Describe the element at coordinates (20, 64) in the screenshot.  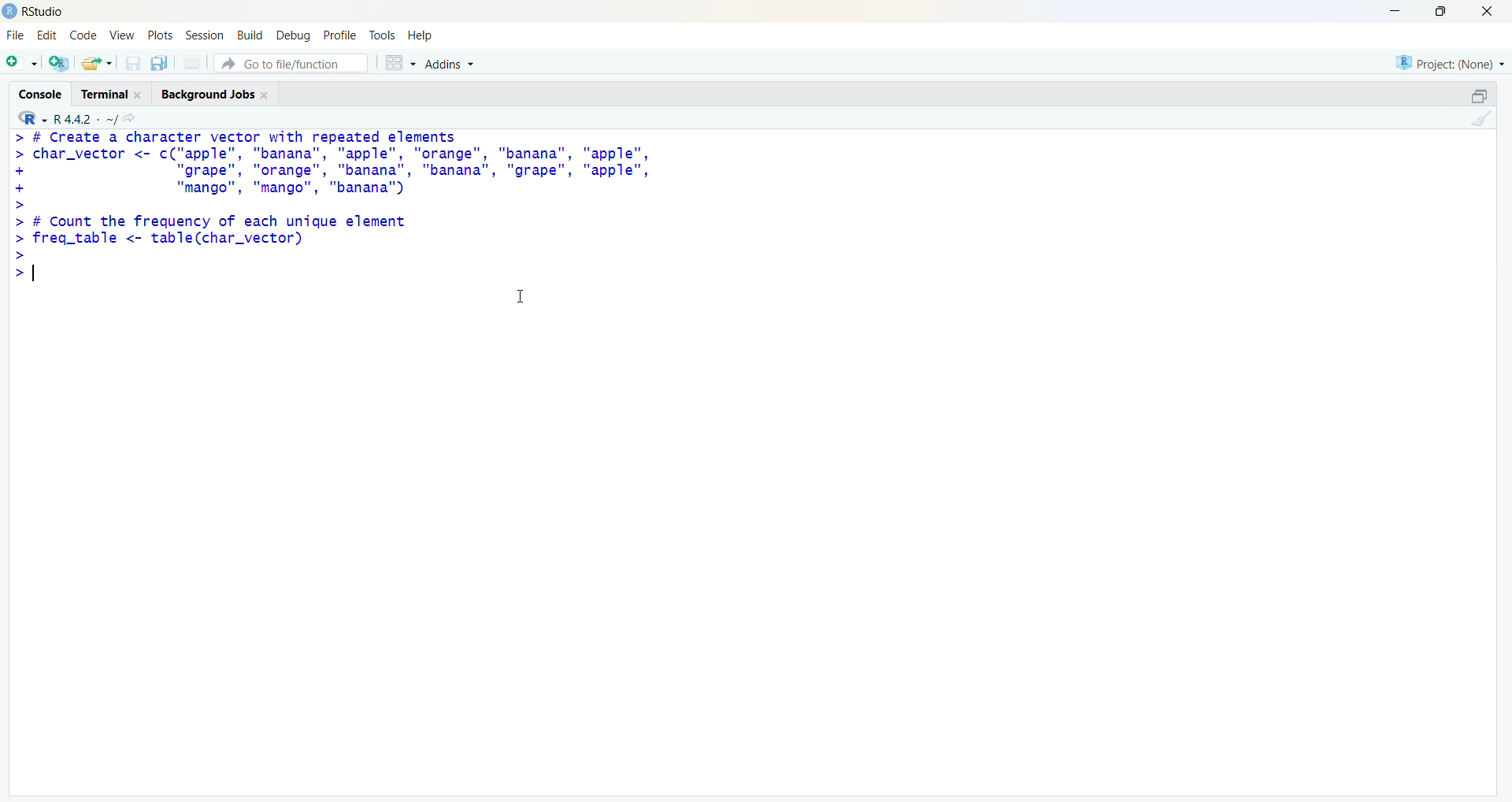
I see `New File` at that location.